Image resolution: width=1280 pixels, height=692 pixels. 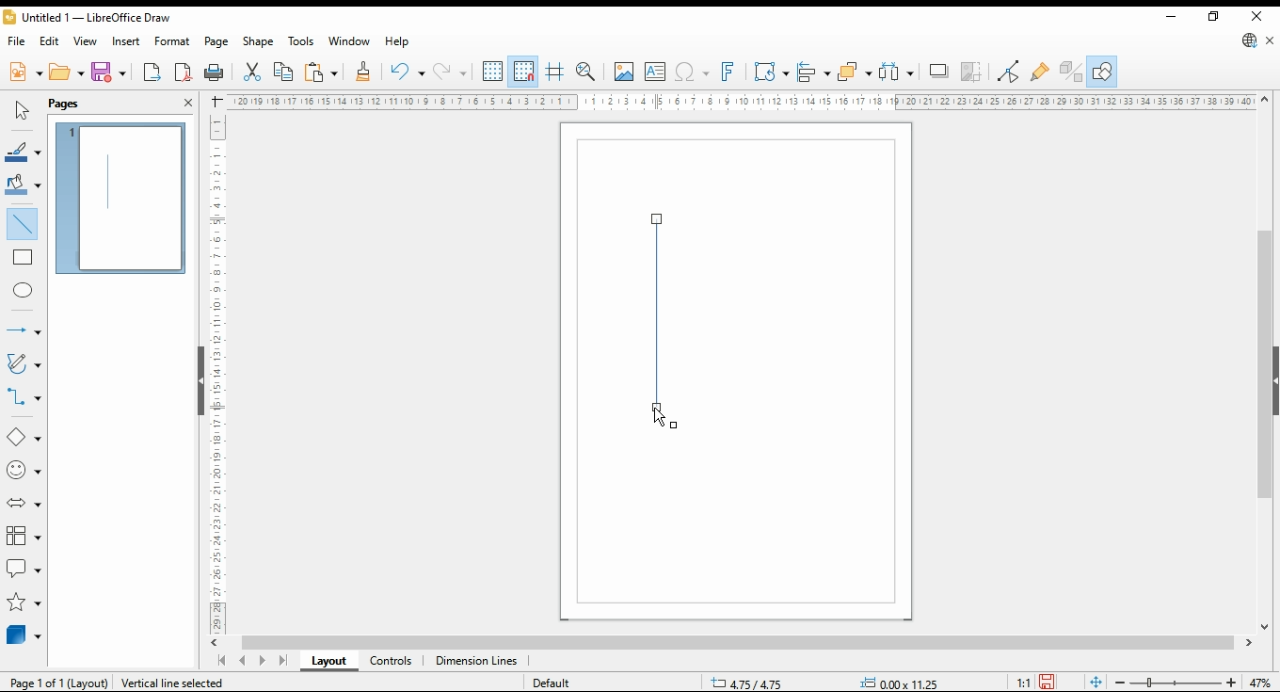 I want to click on curves and polygons, so click(x=25, y=363).